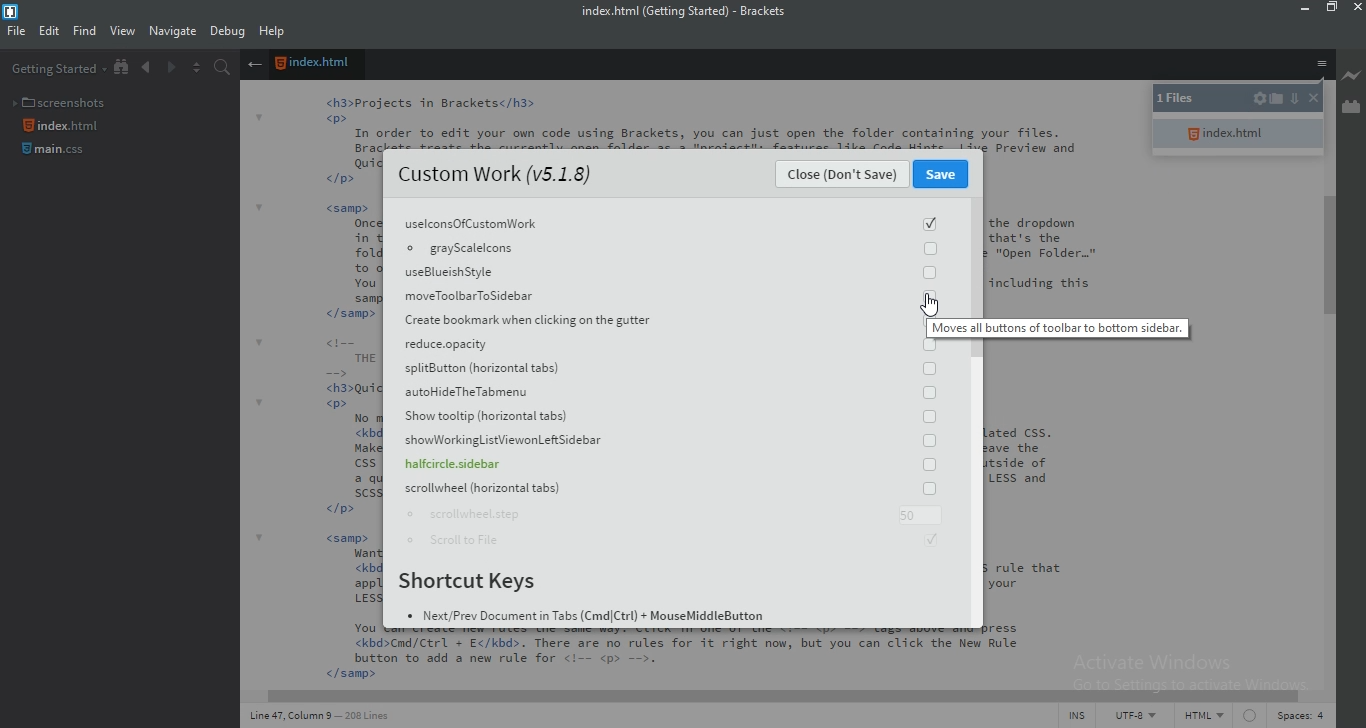 The width and height of the screenshot is (1366, 728). Describe the element at coordinates (974, 275) in the screenshot. I see `scroll bar` at that location.